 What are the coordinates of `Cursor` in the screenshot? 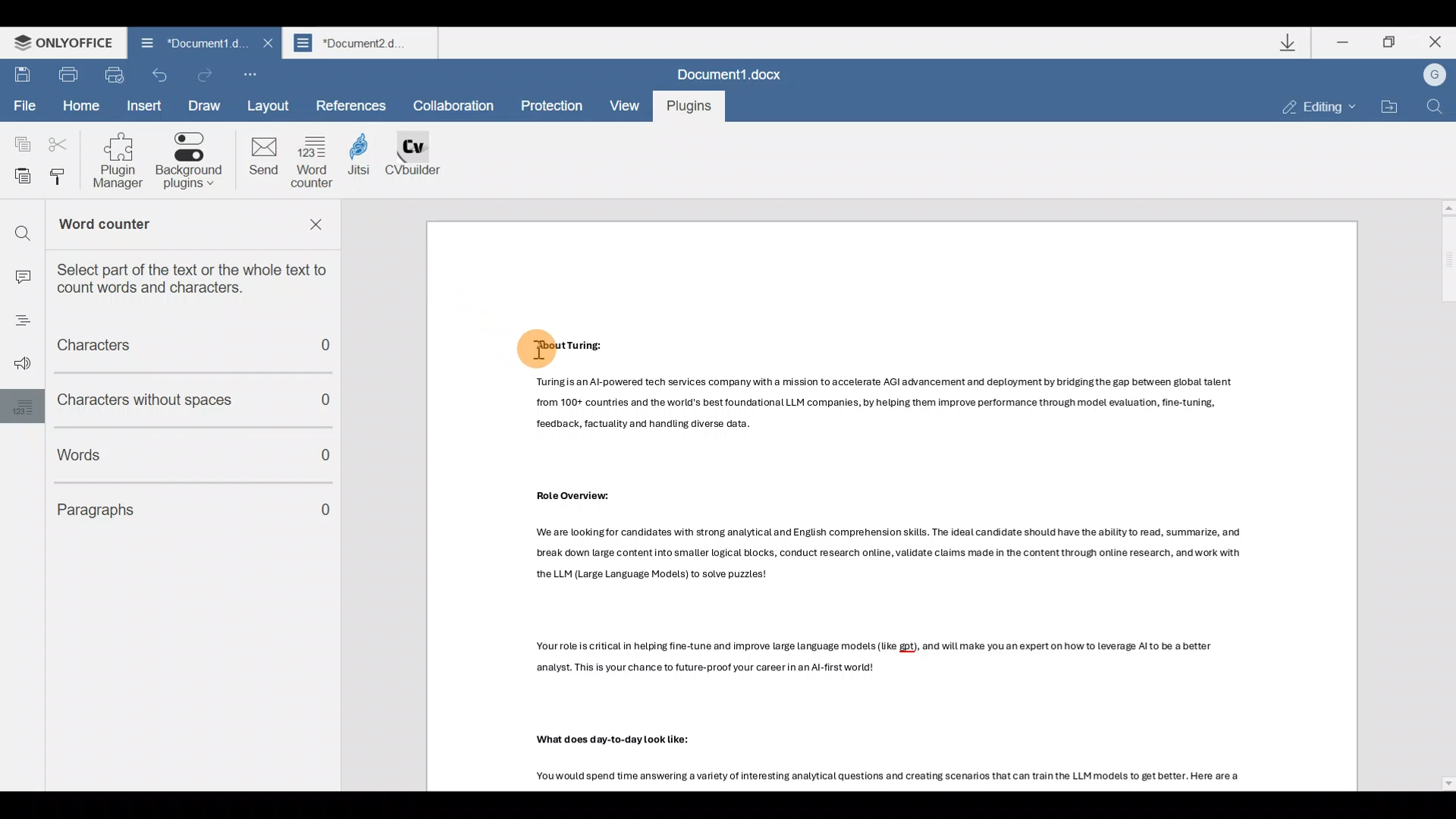 It's located at (537, 347).